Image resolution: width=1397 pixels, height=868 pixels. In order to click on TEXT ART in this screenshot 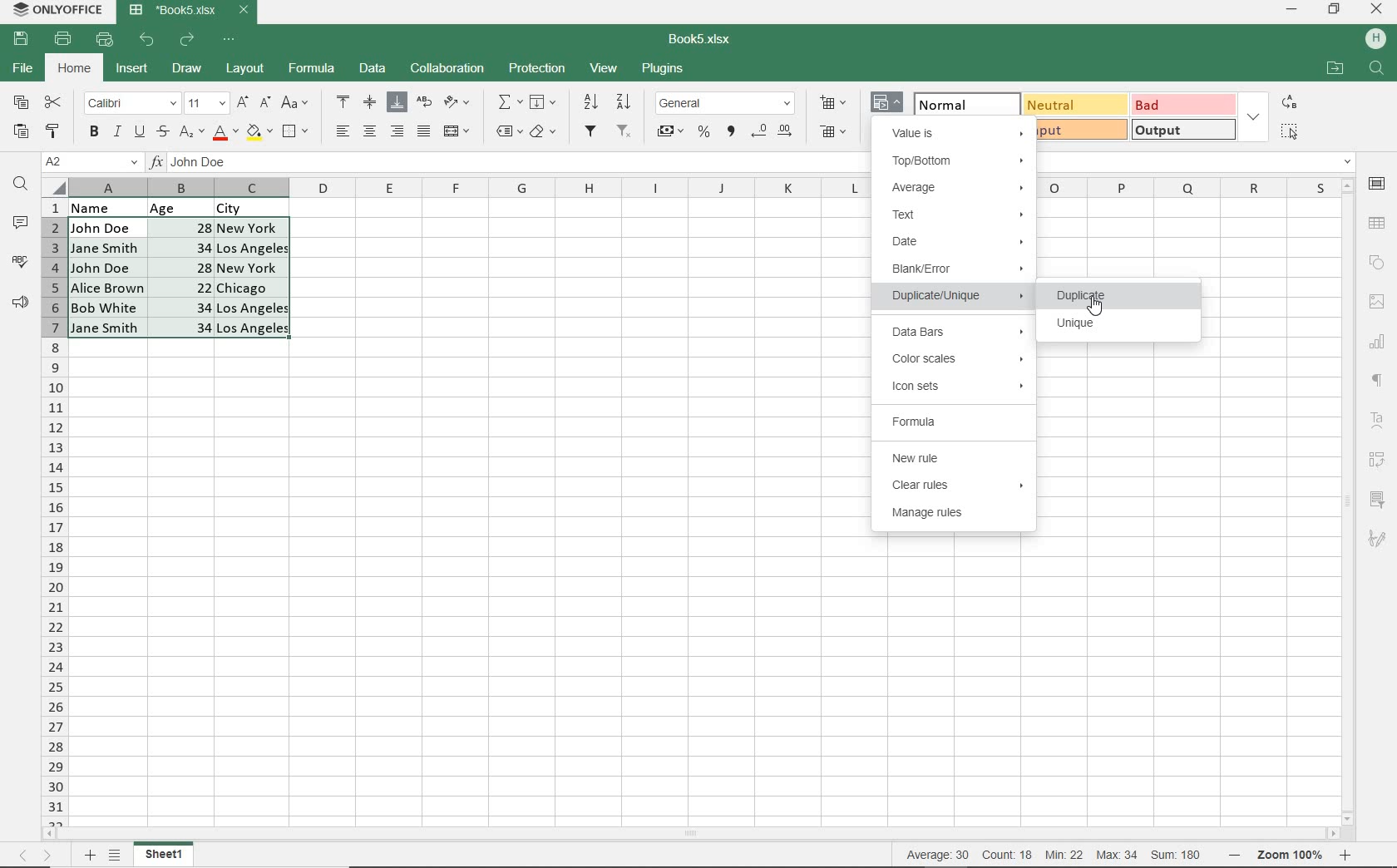, I will do `click(1379, 422)`.